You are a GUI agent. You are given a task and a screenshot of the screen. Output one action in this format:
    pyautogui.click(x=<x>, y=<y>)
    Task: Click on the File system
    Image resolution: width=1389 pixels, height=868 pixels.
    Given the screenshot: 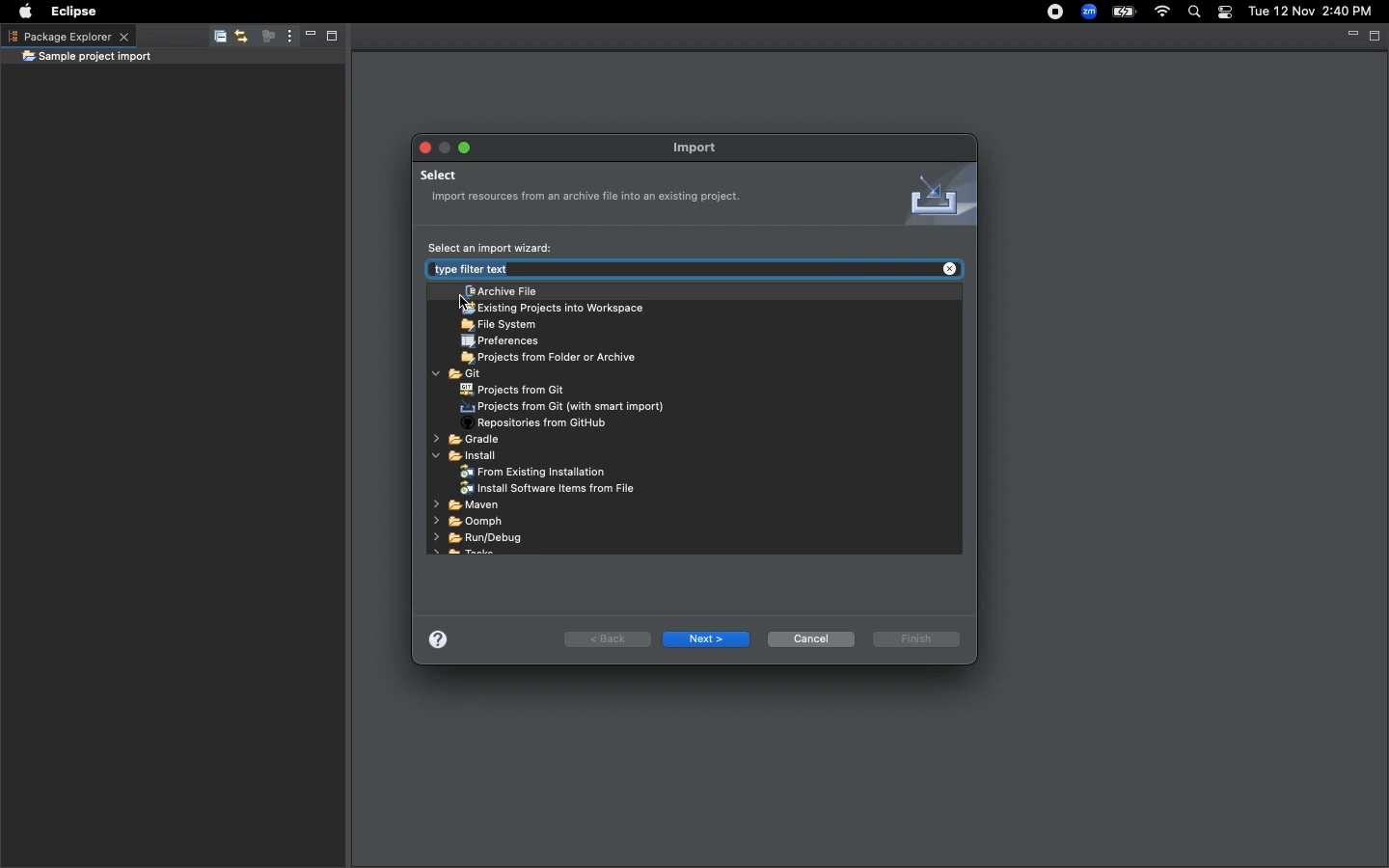 What is the action you would take?
    pyautogui.click(x=500, y=325)
    